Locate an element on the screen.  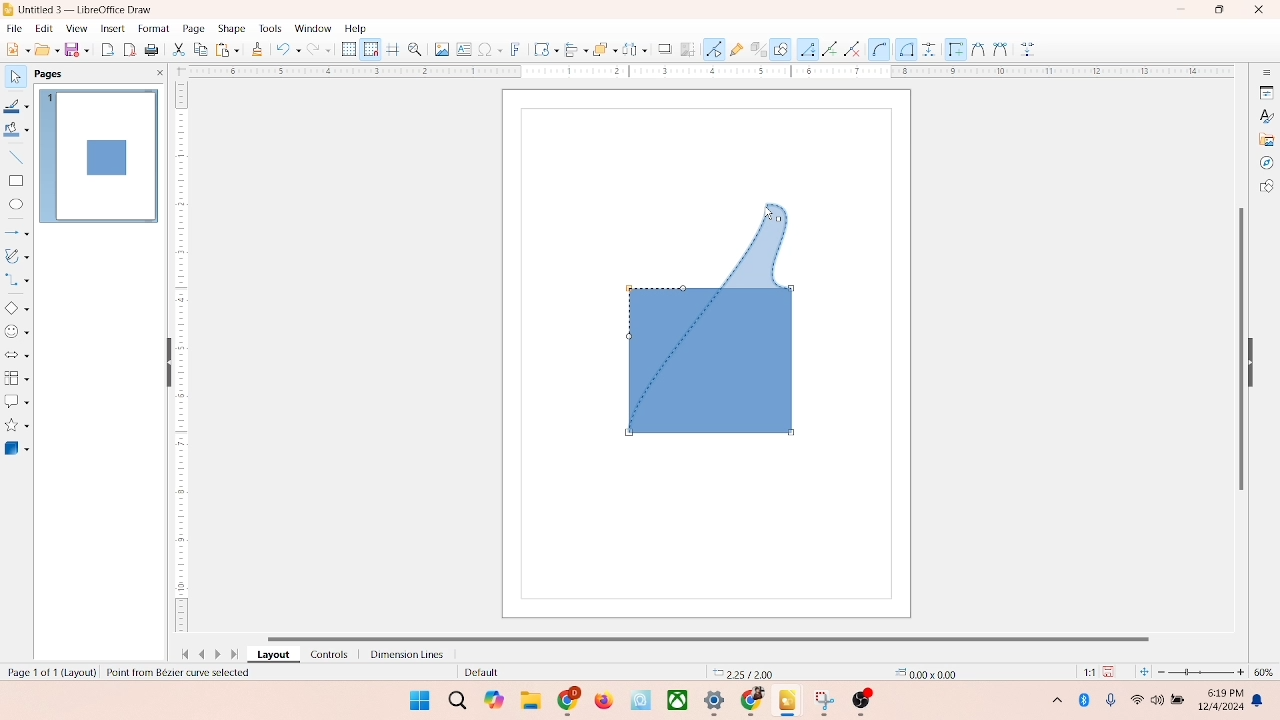
applications is located at coordinates (721, 702).